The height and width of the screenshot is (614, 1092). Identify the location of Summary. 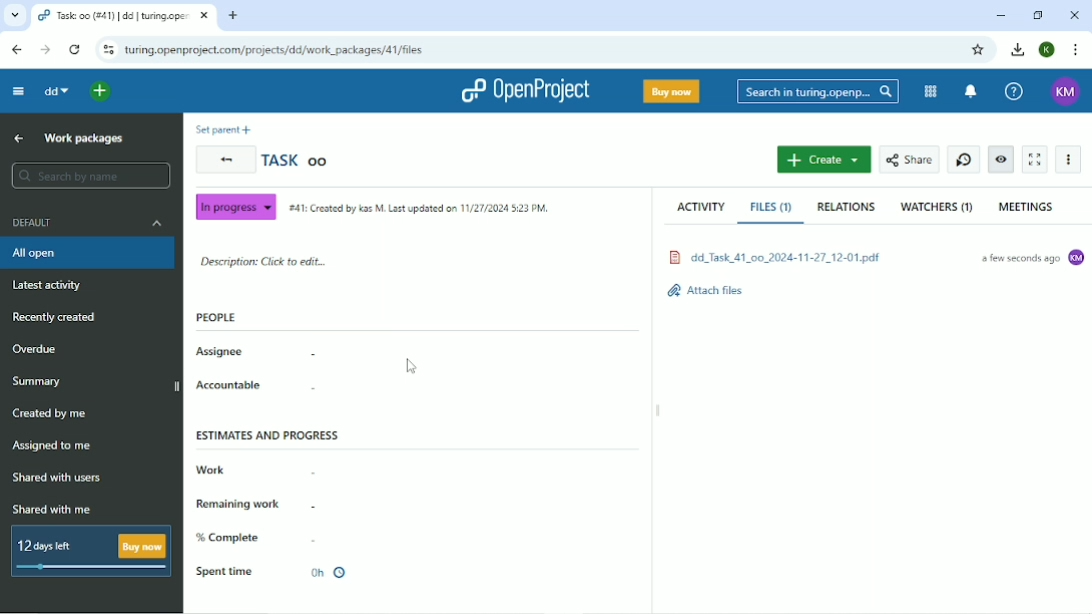
(39, 380).